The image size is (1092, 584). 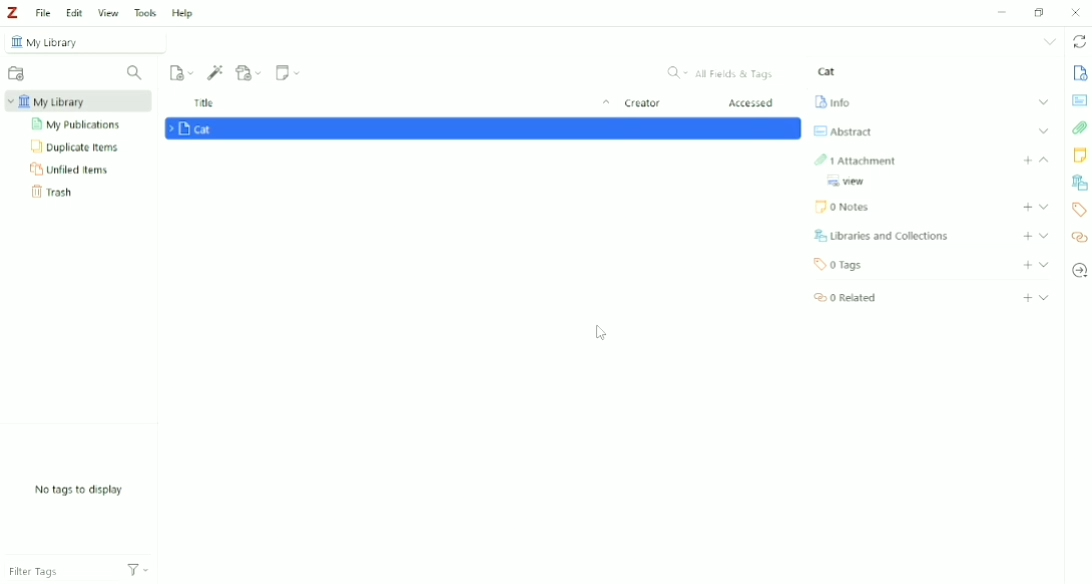 What do you see at coordinates (78, 125) in the screenshot?
I see `My Publications` at bounding box center [78, 125].